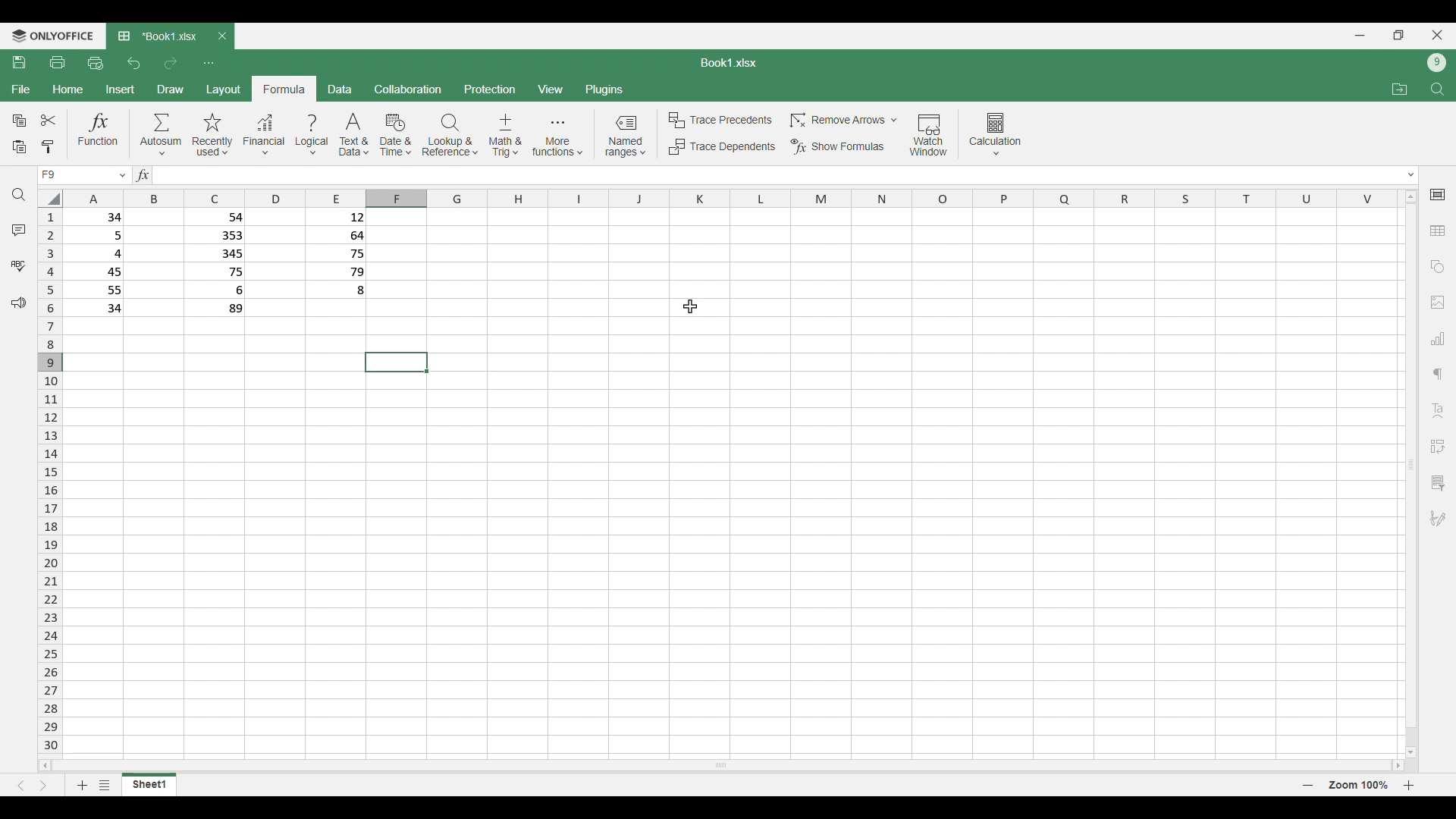 This screenshot has width=1456, height=819. Describe the element at coordinates (770, 175) in the screenshot. I see `Type in equation` at that location.